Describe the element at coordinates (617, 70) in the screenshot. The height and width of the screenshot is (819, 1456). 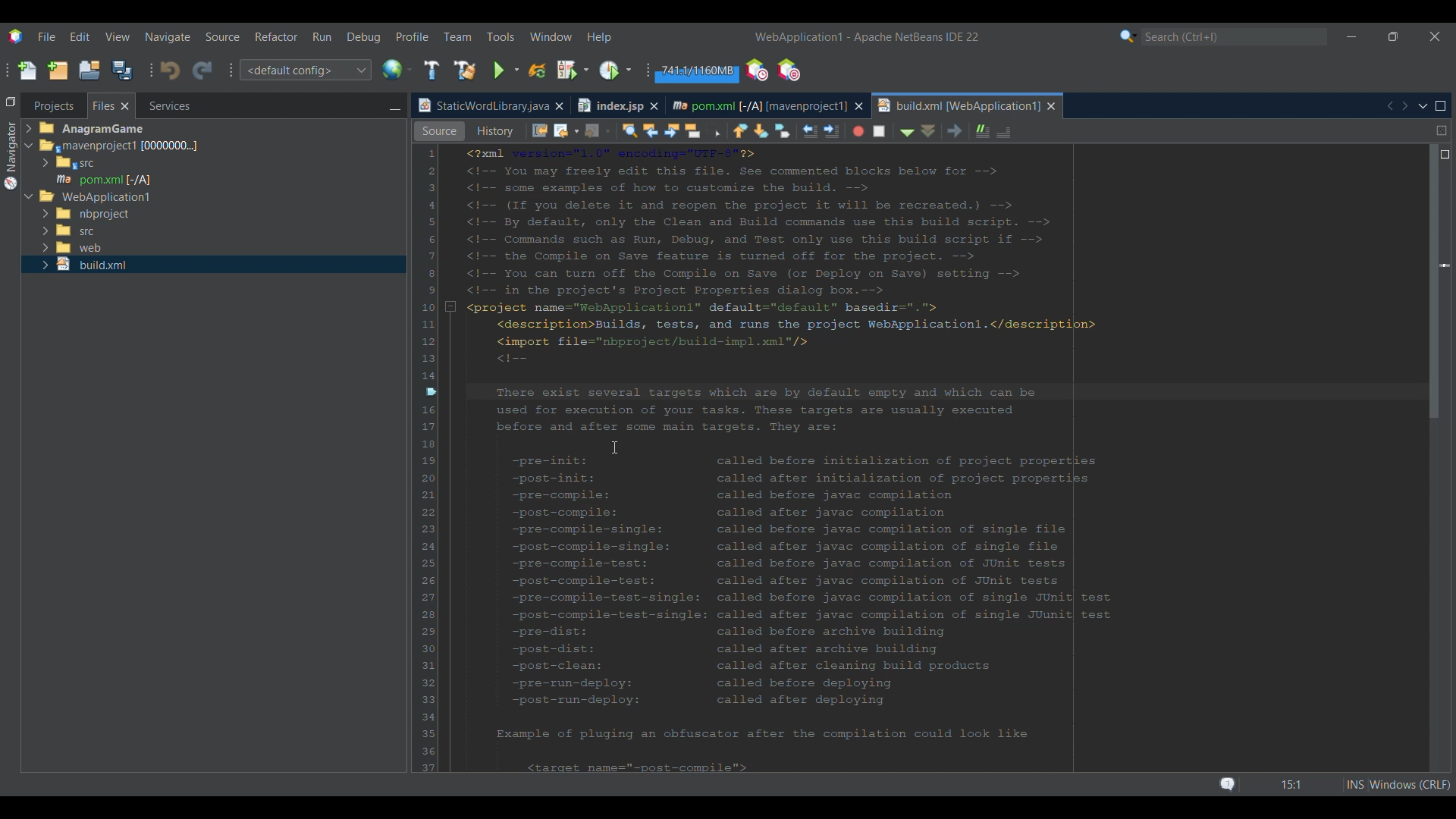
I see `Profile main project options` at that location.